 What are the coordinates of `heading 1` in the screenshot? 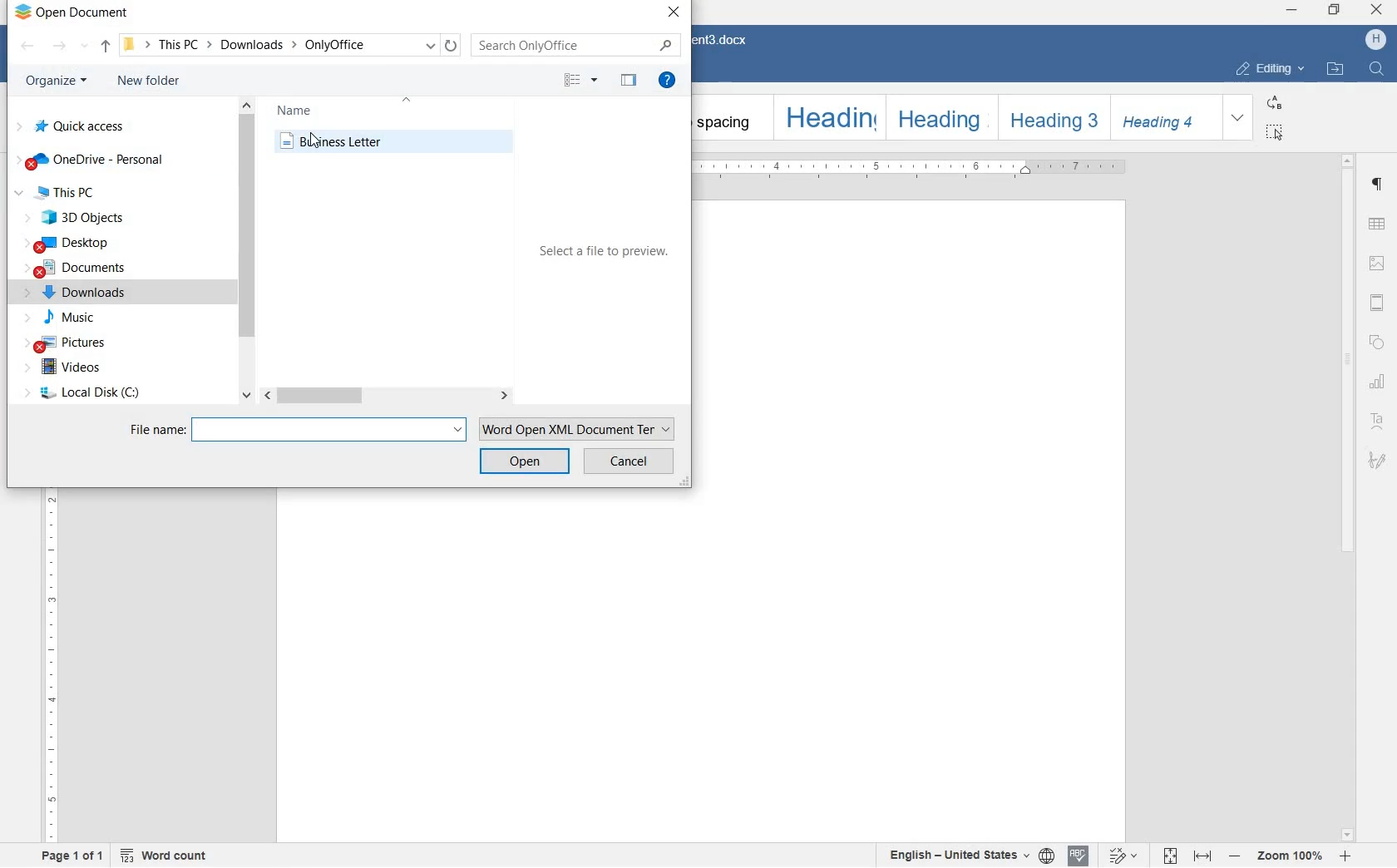 It's located at (827, 118).